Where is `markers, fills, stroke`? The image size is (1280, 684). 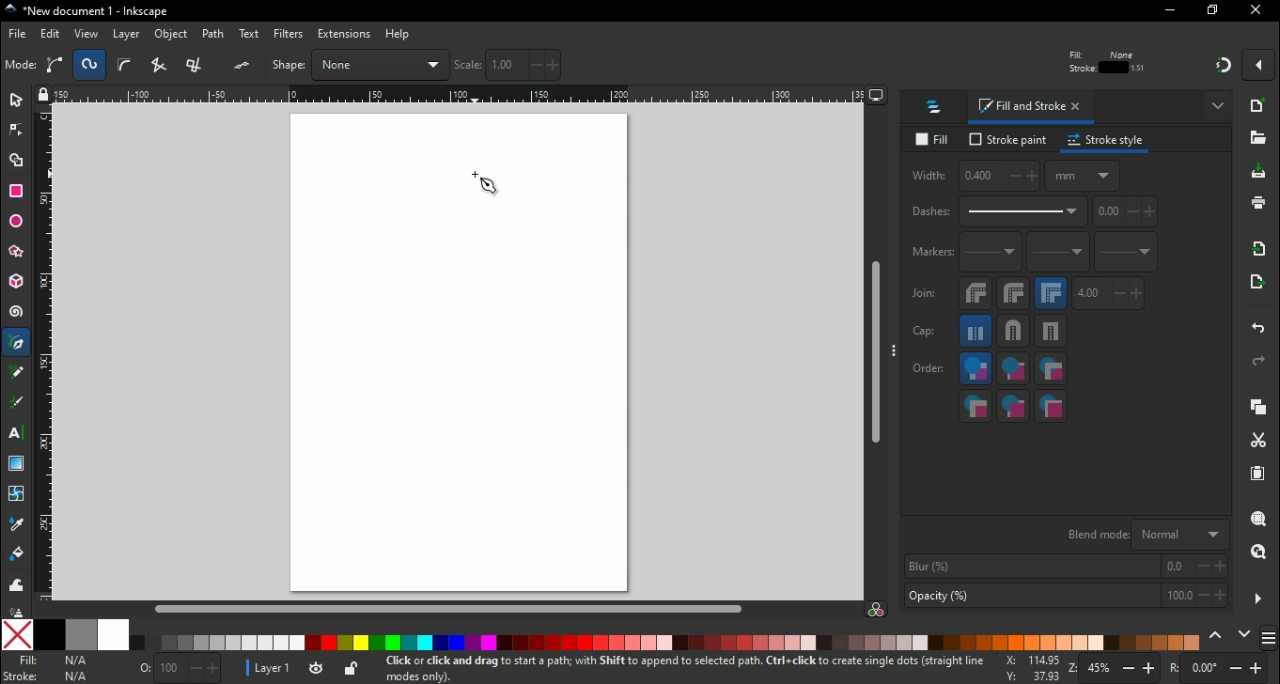 markers, fills, stroke is located at coordinates (976, 408).